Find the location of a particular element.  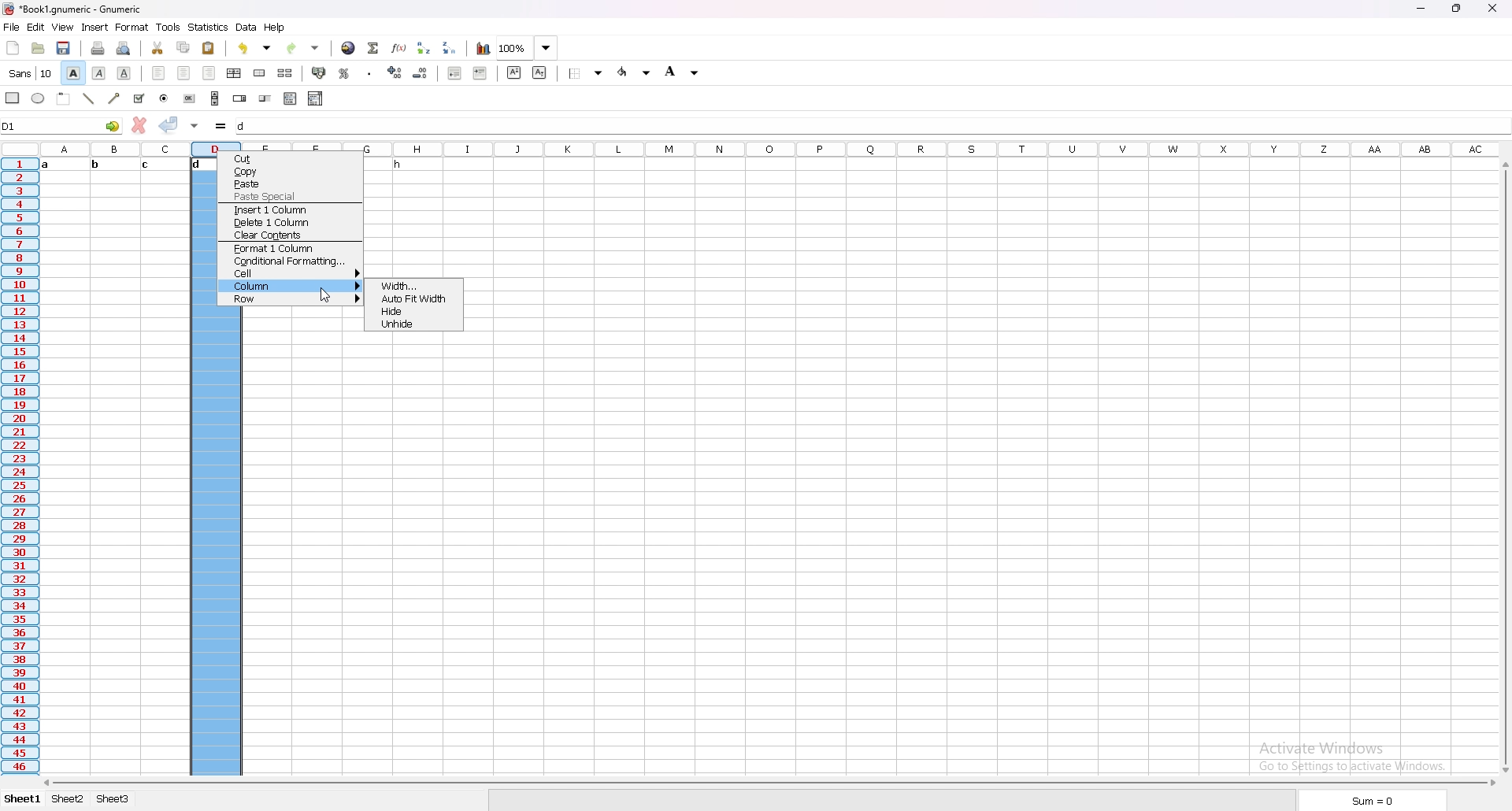

copy is located at coordinates (289, 172).